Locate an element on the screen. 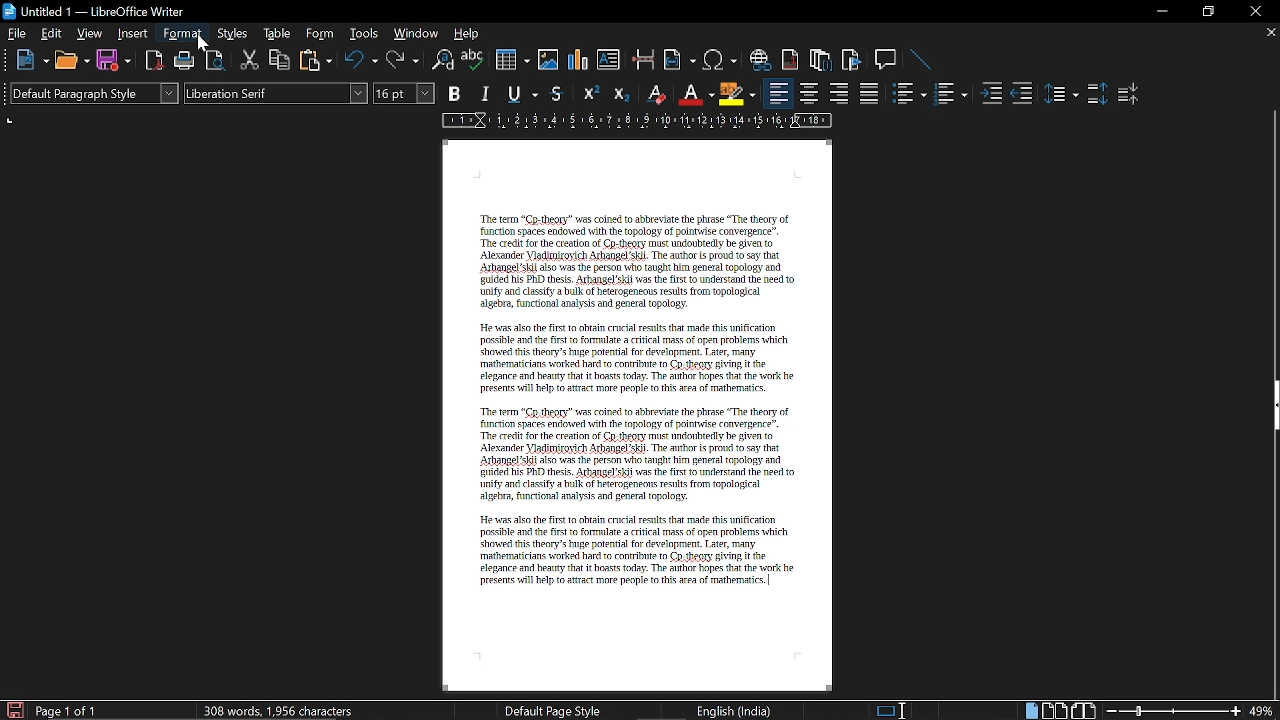 The height and width of the screenshot is (720, 1280). Tools is located at coordinates (364, 33).